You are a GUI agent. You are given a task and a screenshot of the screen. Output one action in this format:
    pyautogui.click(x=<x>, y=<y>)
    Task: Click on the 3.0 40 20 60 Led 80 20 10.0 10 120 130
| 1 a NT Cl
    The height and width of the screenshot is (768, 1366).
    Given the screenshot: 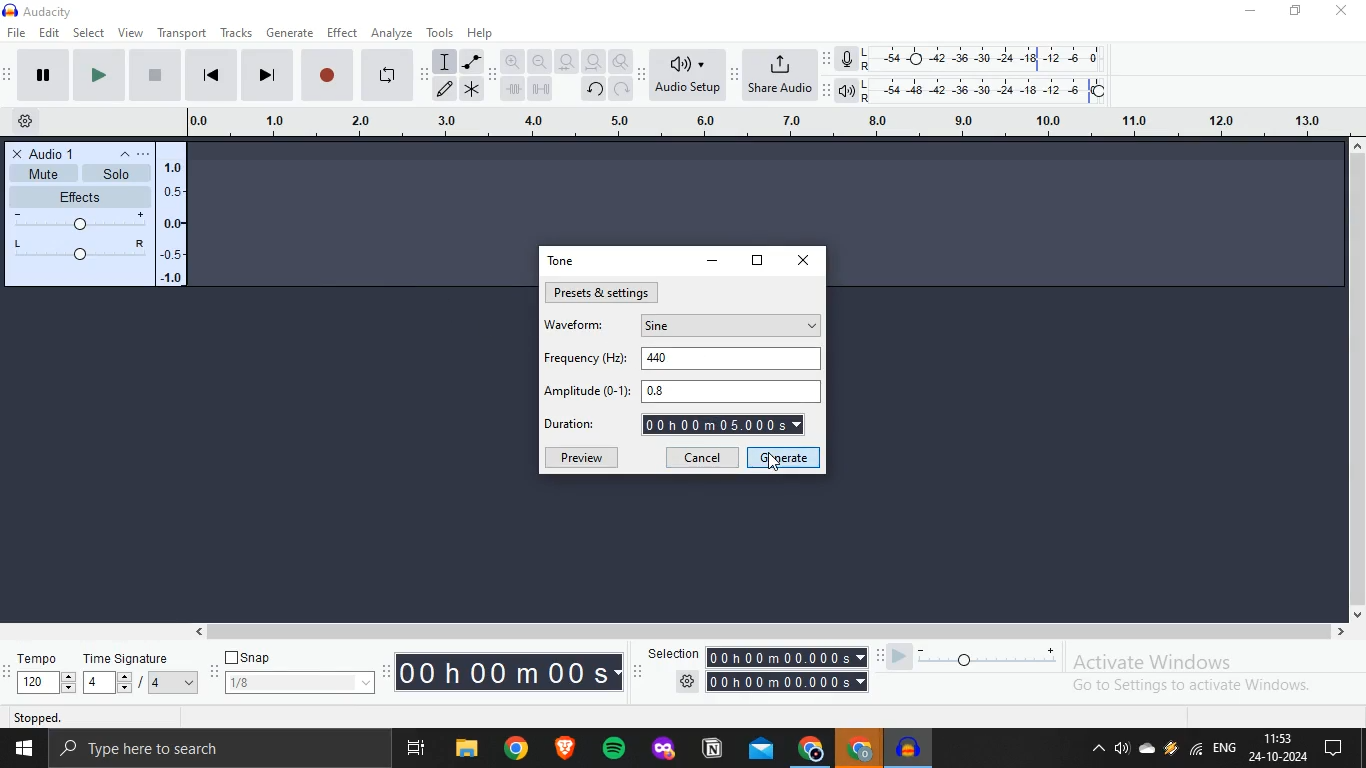 What is the action you would take?
    pyautogui.click(x=807, y=123)
    